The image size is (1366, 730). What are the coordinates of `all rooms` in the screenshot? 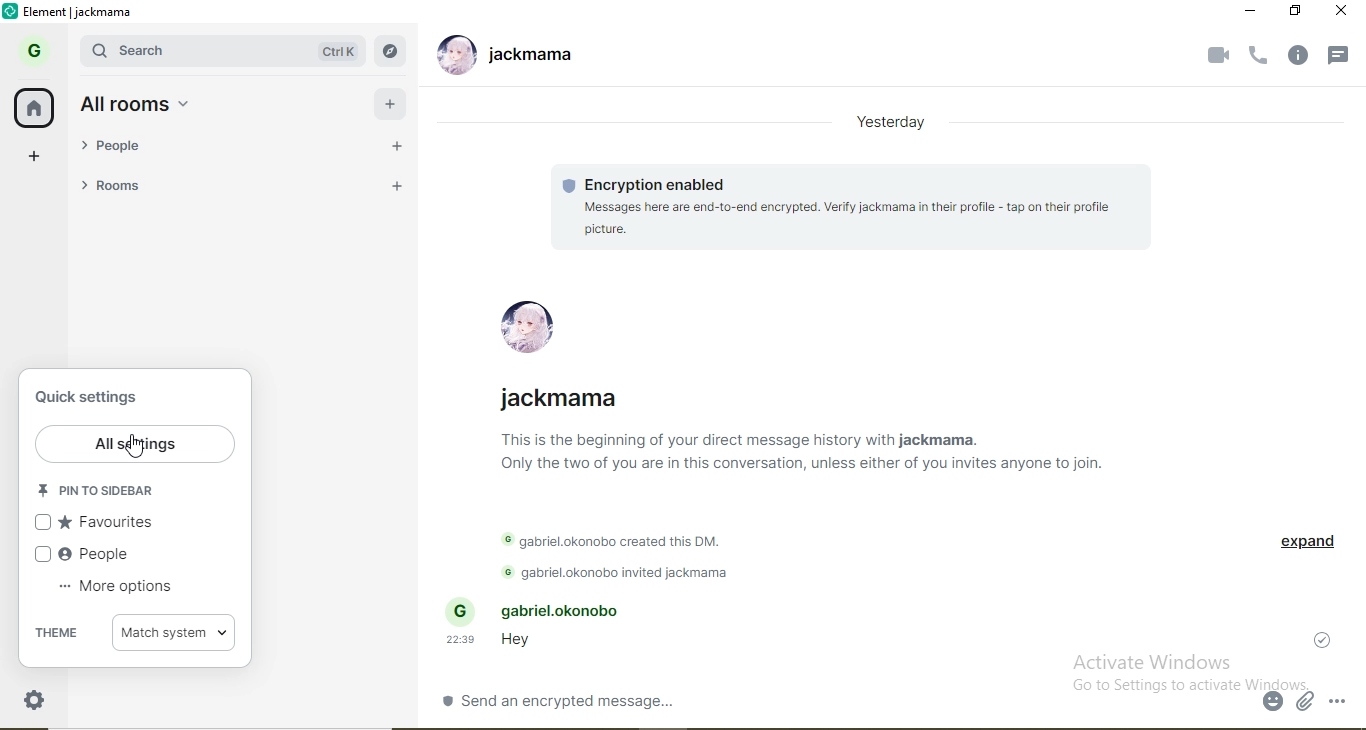 It's located at (138, 104).